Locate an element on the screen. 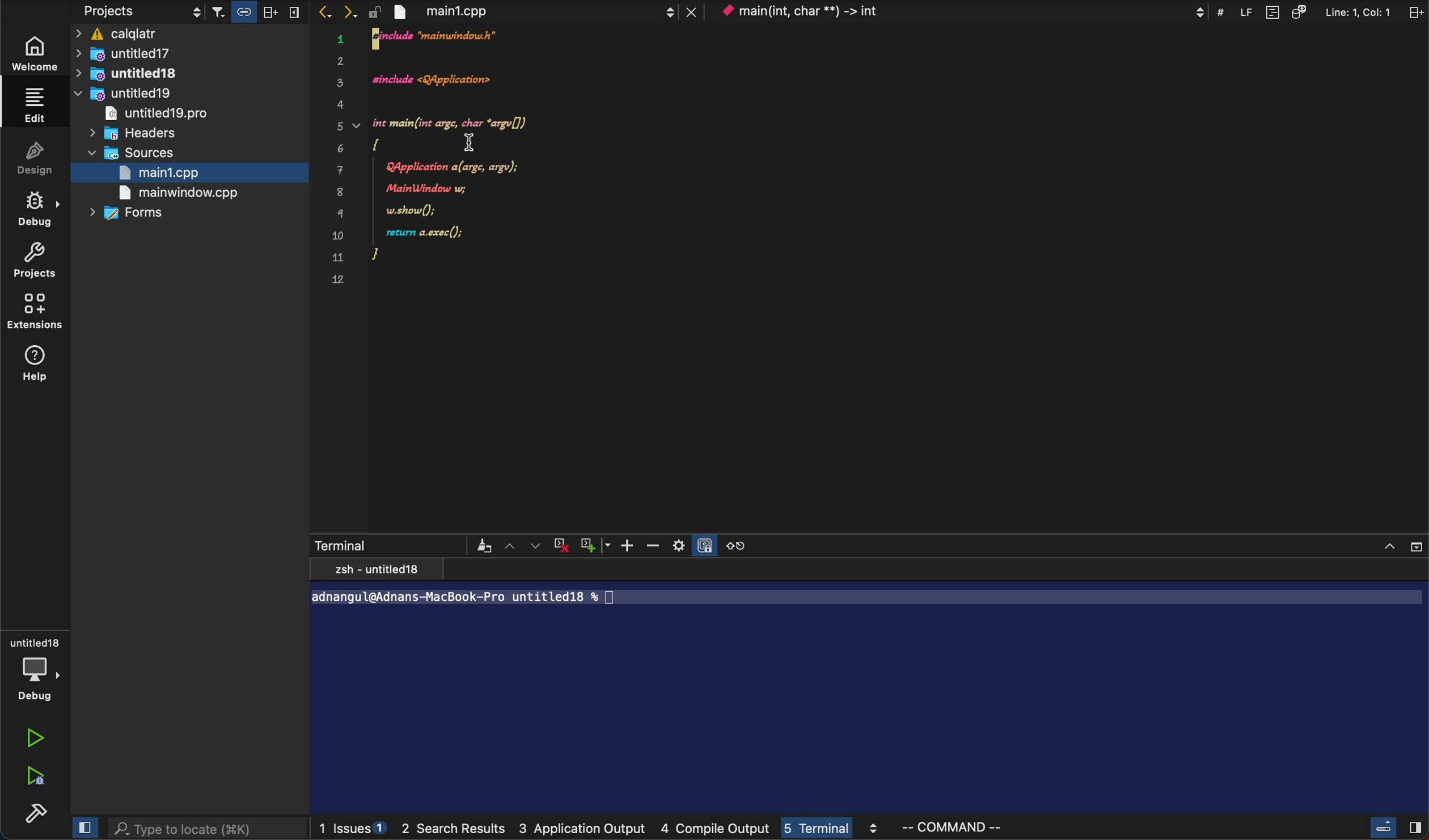 This screenshot has width=1429, height=840. run debug is located at coordinates (37, 775).